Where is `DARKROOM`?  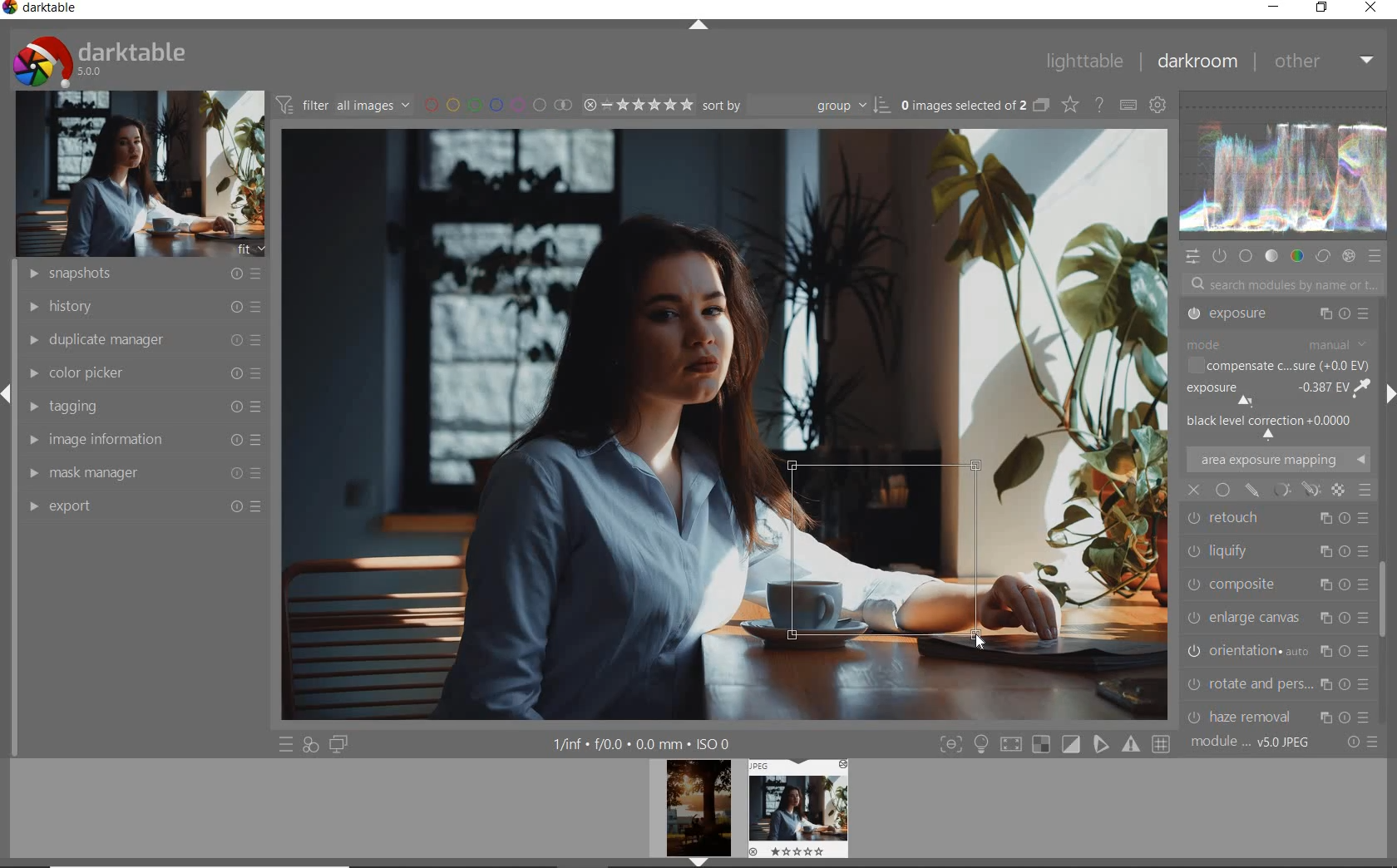
DARKROOM is located at coordinates (1199, 61).